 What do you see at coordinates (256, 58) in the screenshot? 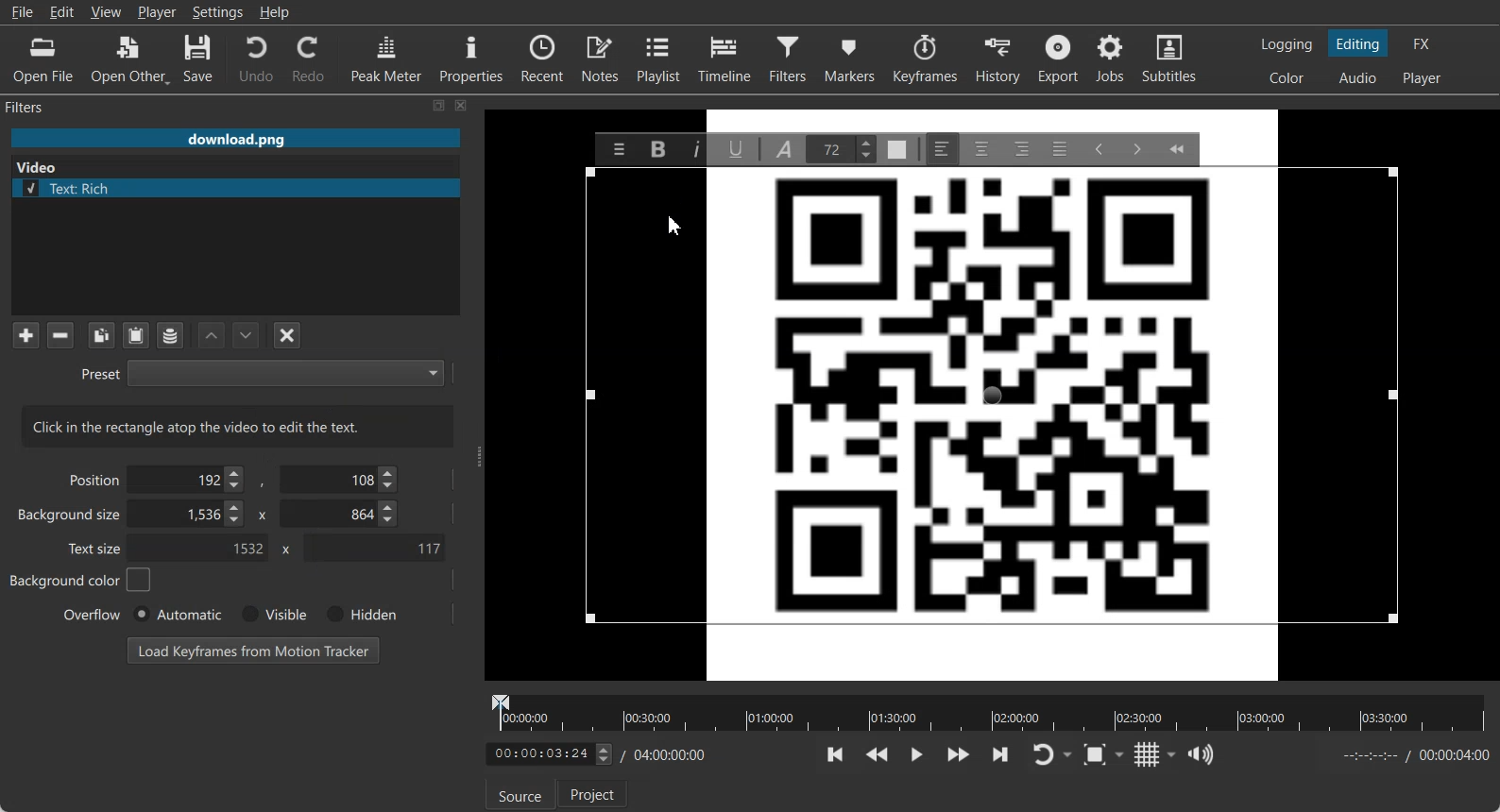
I see `Undo` at bounding box center [256, 58].